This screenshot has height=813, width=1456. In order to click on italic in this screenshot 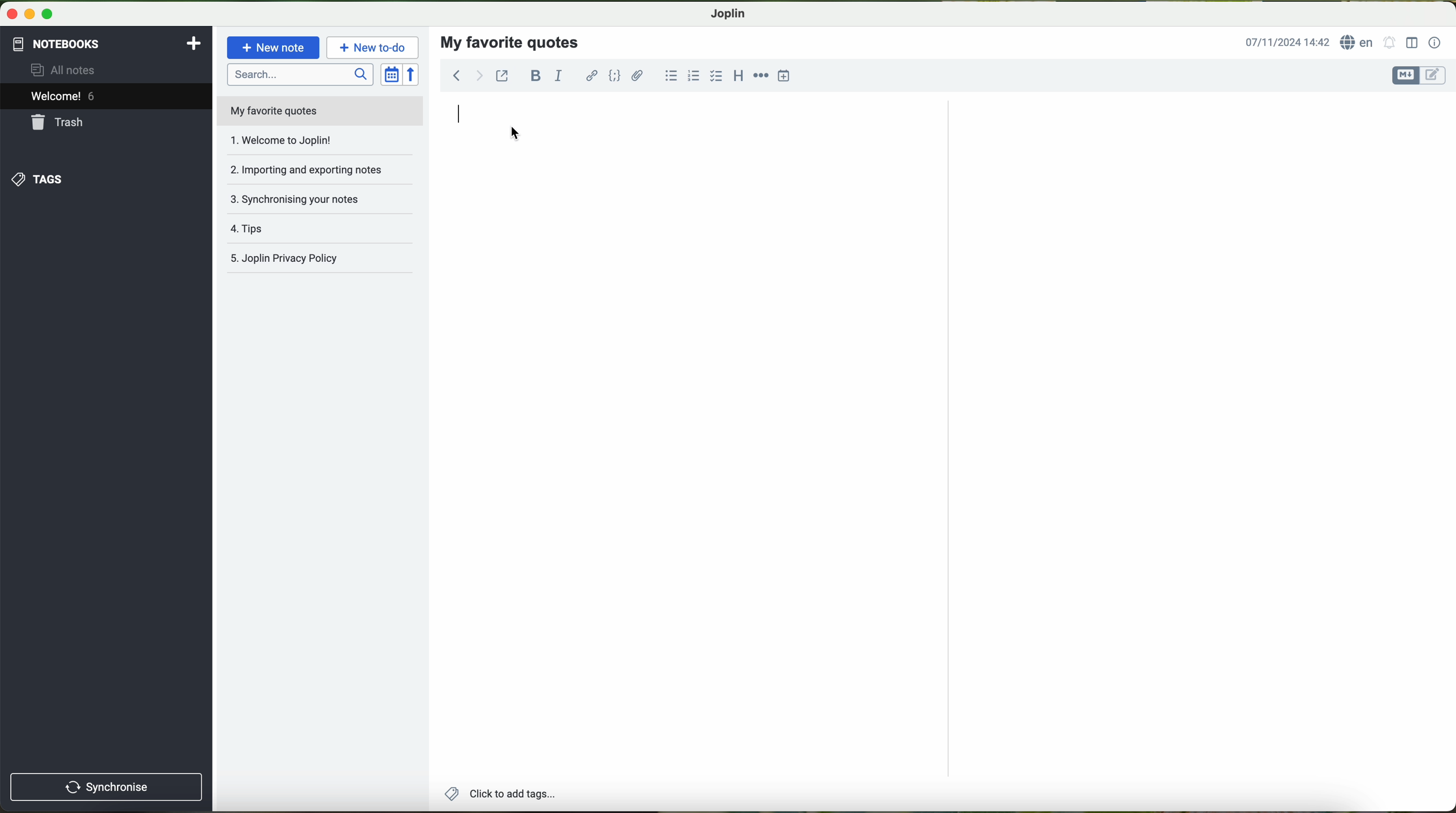, I will do `click(561, 76)`.